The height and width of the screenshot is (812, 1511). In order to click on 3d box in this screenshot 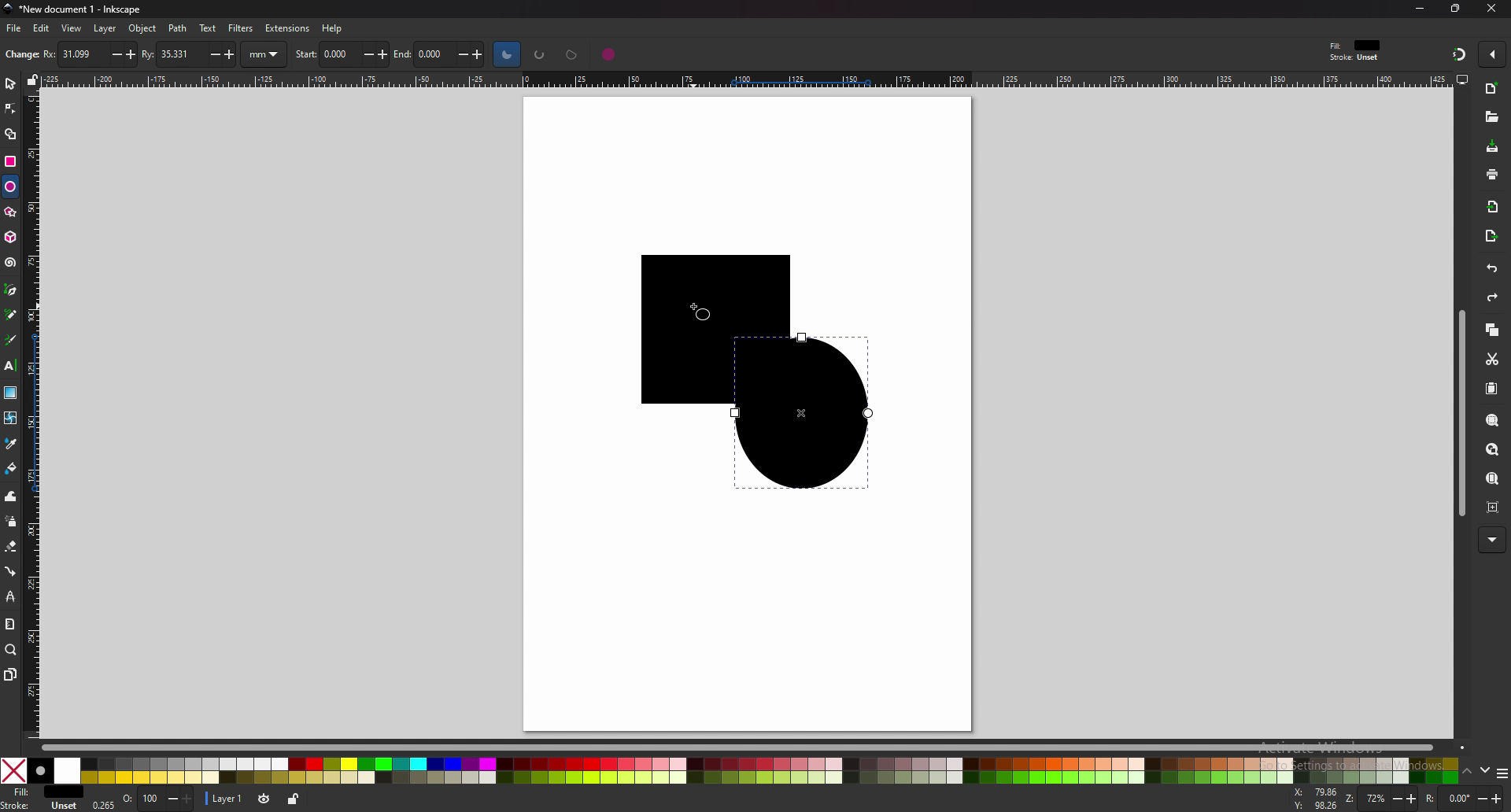, I will do `click(10, 237)`.